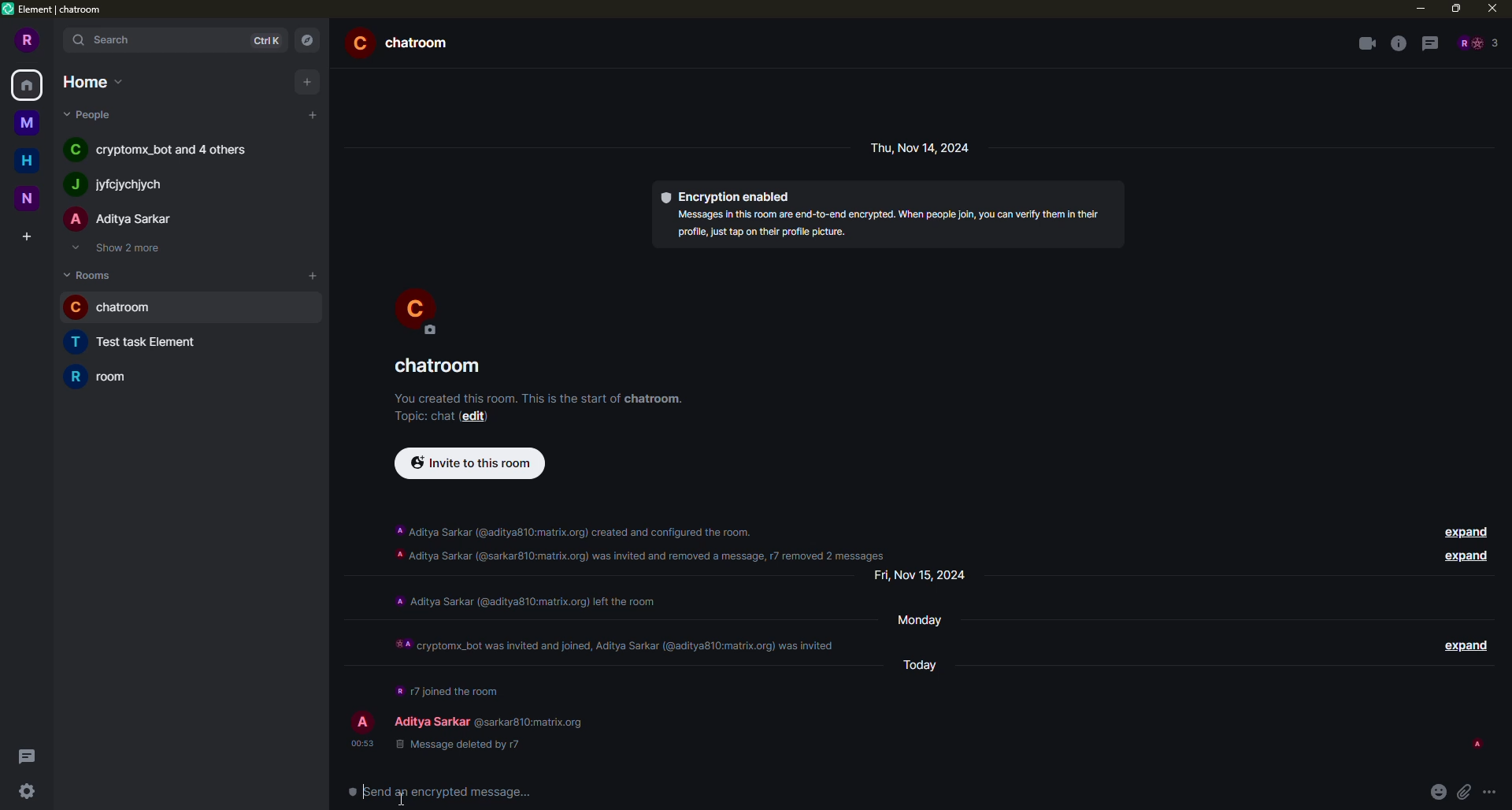 Image resolution: width=1512 pixels, height=810 pixels. I want to click on info, so click(643, 539).